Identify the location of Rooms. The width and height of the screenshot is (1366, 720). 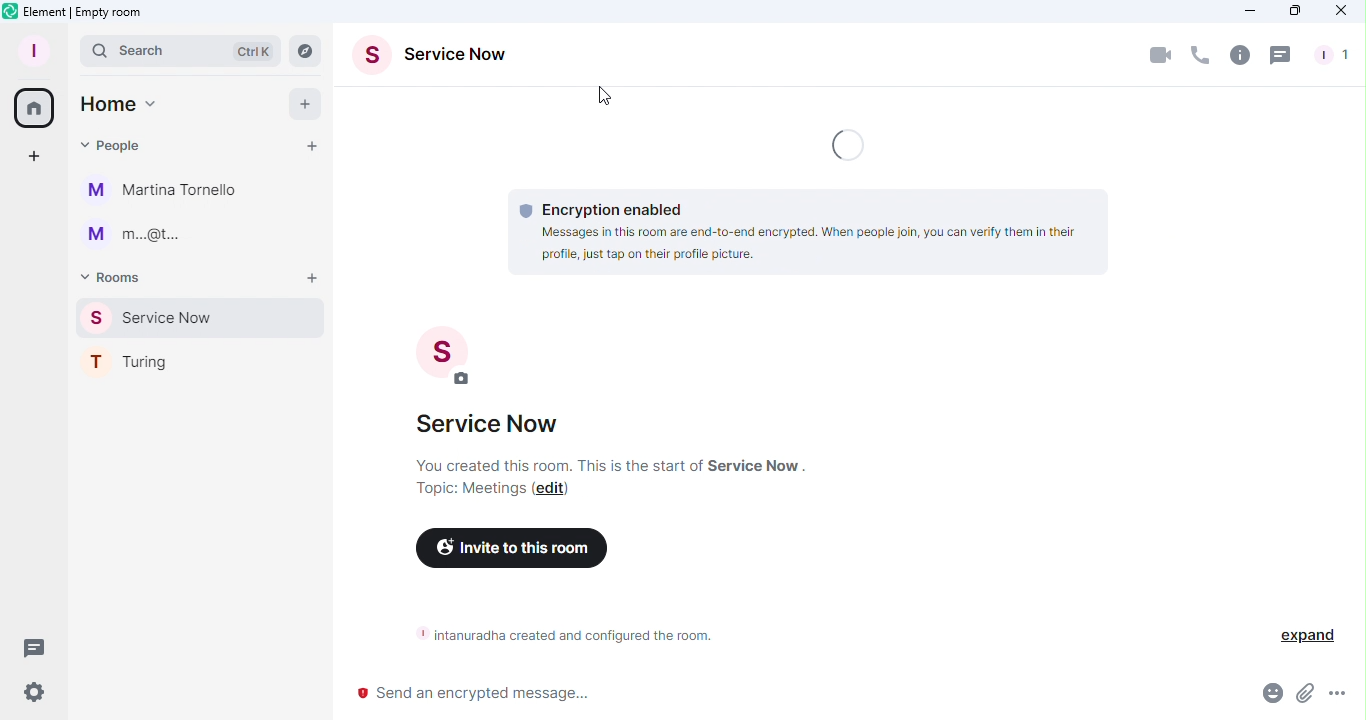
(116, 276).